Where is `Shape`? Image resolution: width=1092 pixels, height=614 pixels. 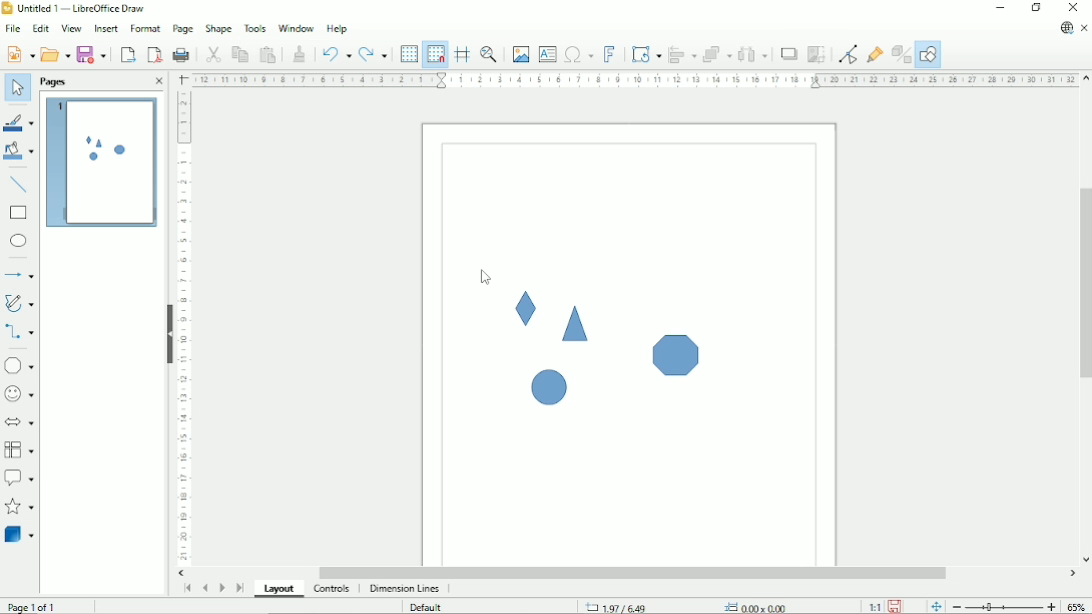
Shape is located at coordinates (547, 386).